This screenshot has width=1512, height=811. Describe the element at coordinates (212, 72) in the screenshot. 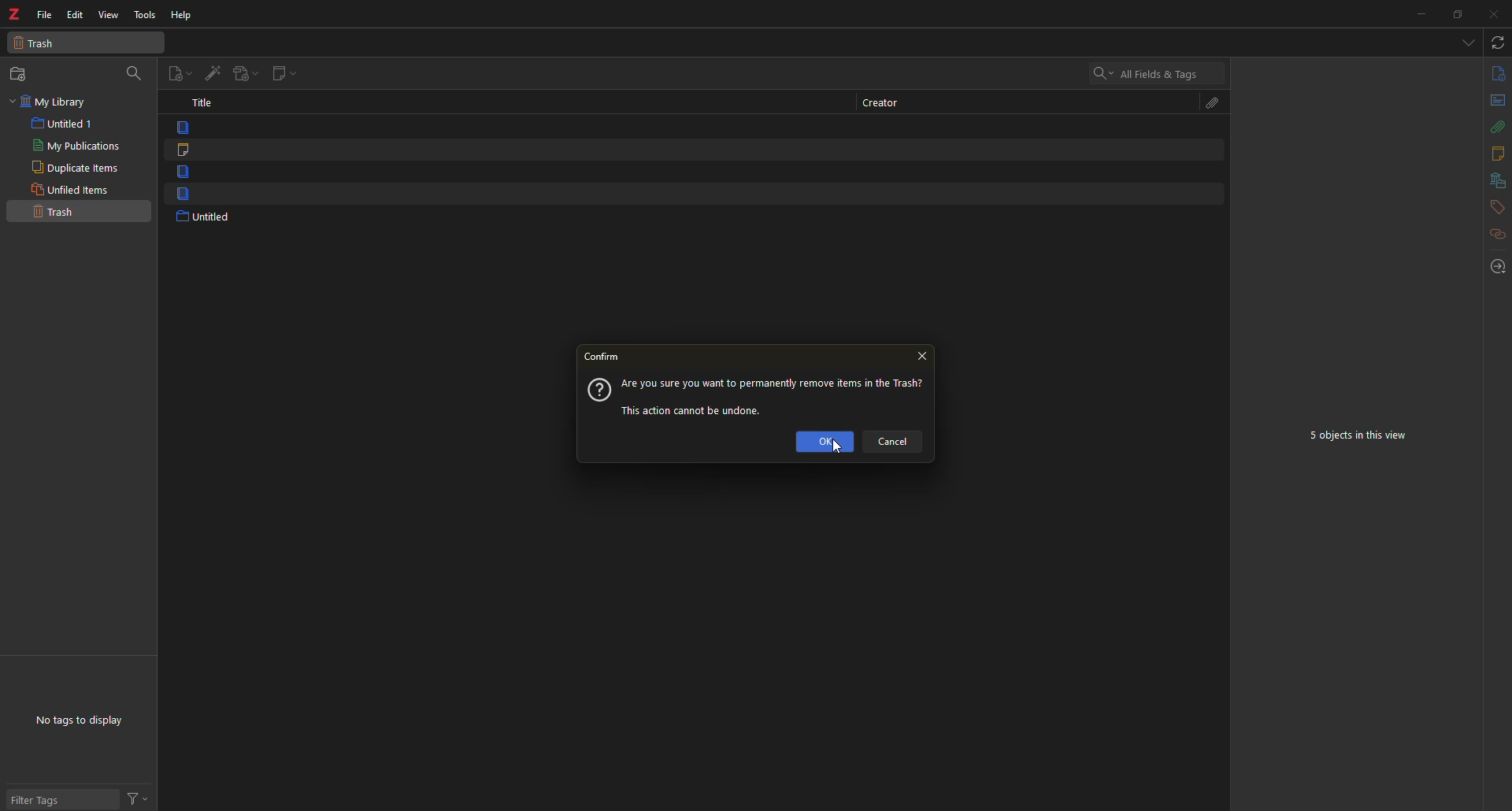

I see `add item` at that location.